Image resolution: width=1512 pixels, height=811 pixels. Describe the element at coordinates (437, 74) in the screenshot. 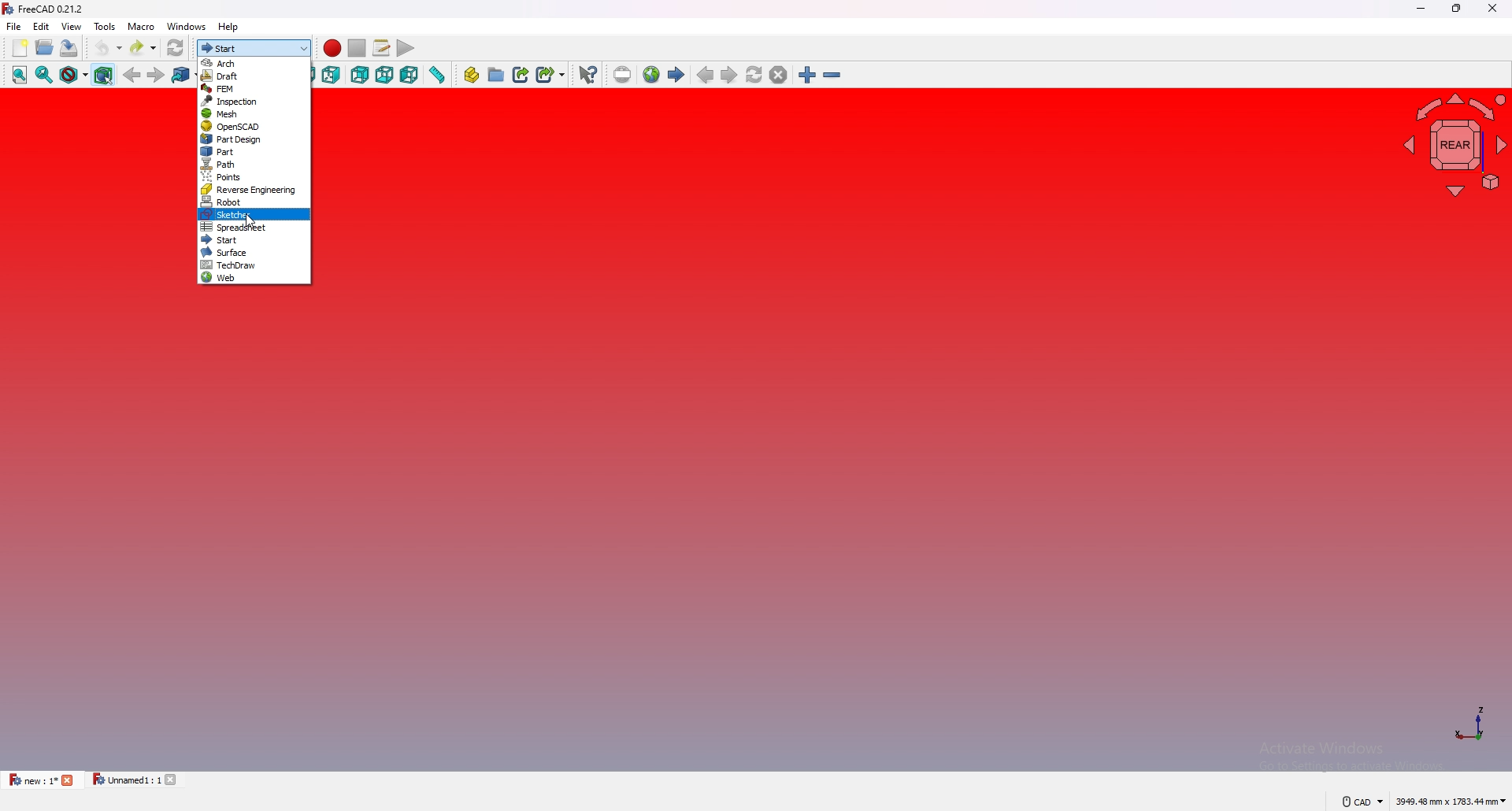

I see `measure distance` at that location.